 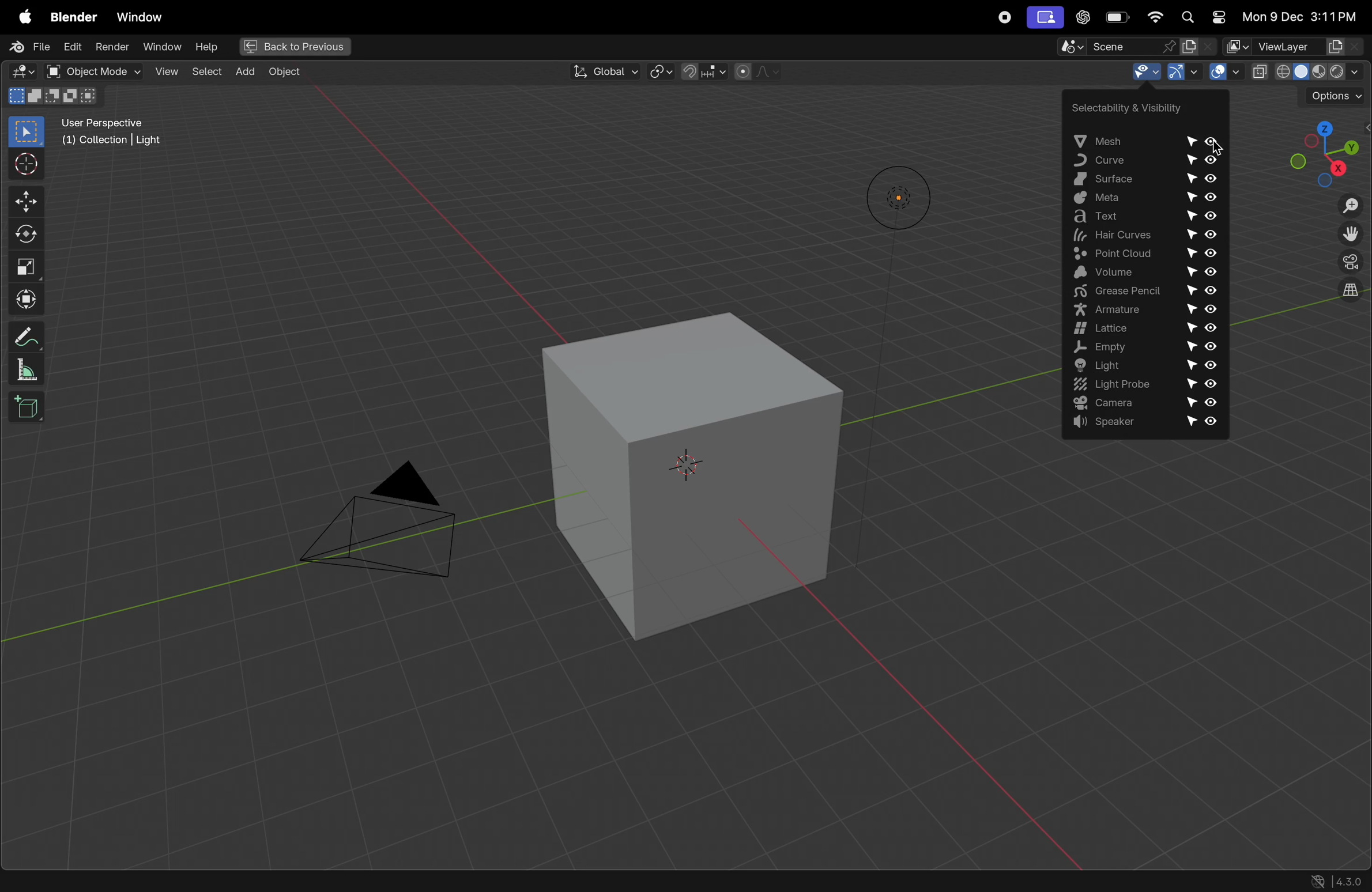 I want to click on apple widgets, so click(x=1201, y=17).